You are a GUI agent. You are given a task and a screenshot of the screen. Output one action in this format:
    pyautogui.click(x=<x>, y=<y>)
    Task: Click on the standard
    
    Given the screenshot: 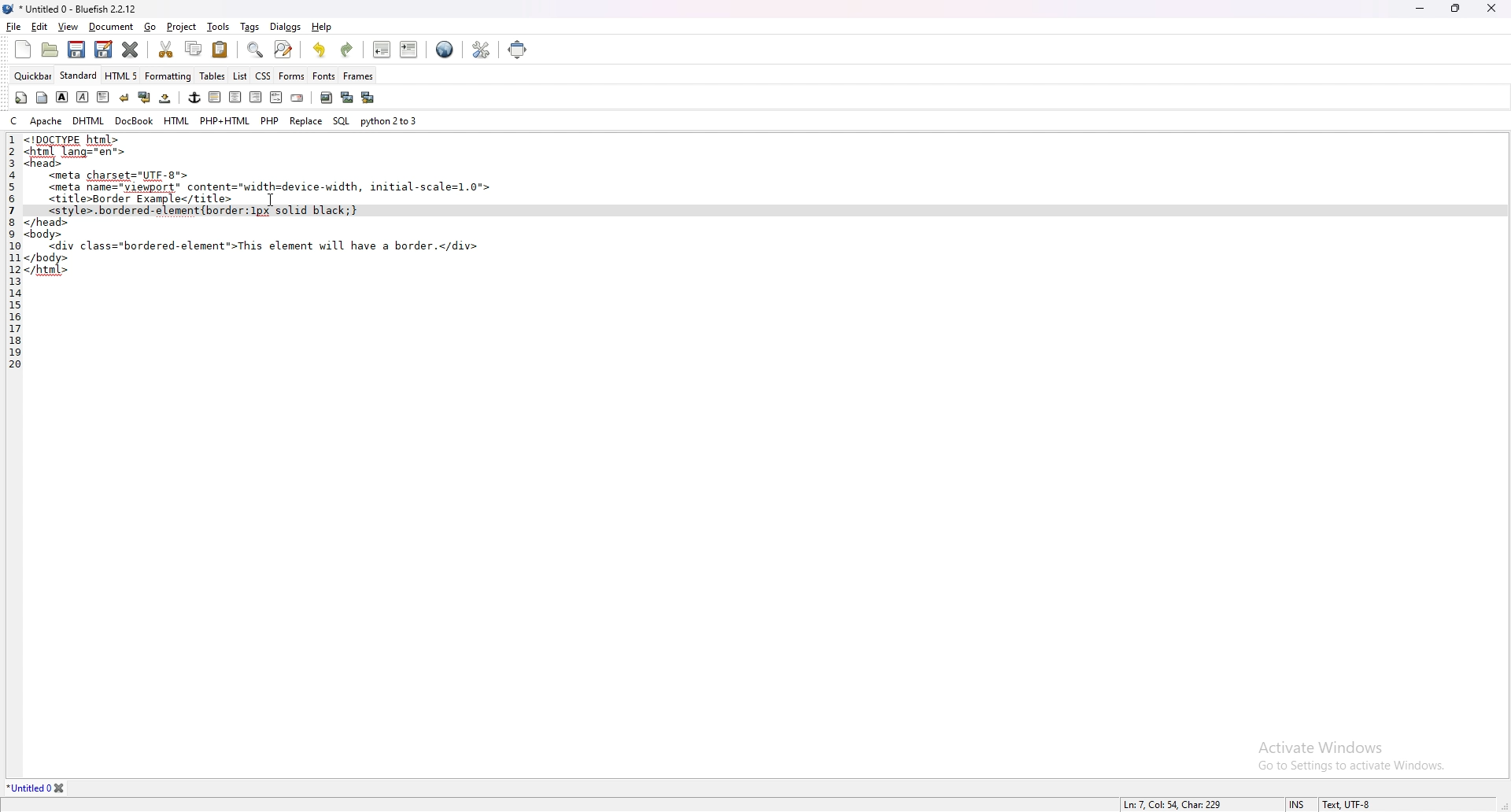 What is the action you would take?
    pyautogui.click(x=79, y=75)
    